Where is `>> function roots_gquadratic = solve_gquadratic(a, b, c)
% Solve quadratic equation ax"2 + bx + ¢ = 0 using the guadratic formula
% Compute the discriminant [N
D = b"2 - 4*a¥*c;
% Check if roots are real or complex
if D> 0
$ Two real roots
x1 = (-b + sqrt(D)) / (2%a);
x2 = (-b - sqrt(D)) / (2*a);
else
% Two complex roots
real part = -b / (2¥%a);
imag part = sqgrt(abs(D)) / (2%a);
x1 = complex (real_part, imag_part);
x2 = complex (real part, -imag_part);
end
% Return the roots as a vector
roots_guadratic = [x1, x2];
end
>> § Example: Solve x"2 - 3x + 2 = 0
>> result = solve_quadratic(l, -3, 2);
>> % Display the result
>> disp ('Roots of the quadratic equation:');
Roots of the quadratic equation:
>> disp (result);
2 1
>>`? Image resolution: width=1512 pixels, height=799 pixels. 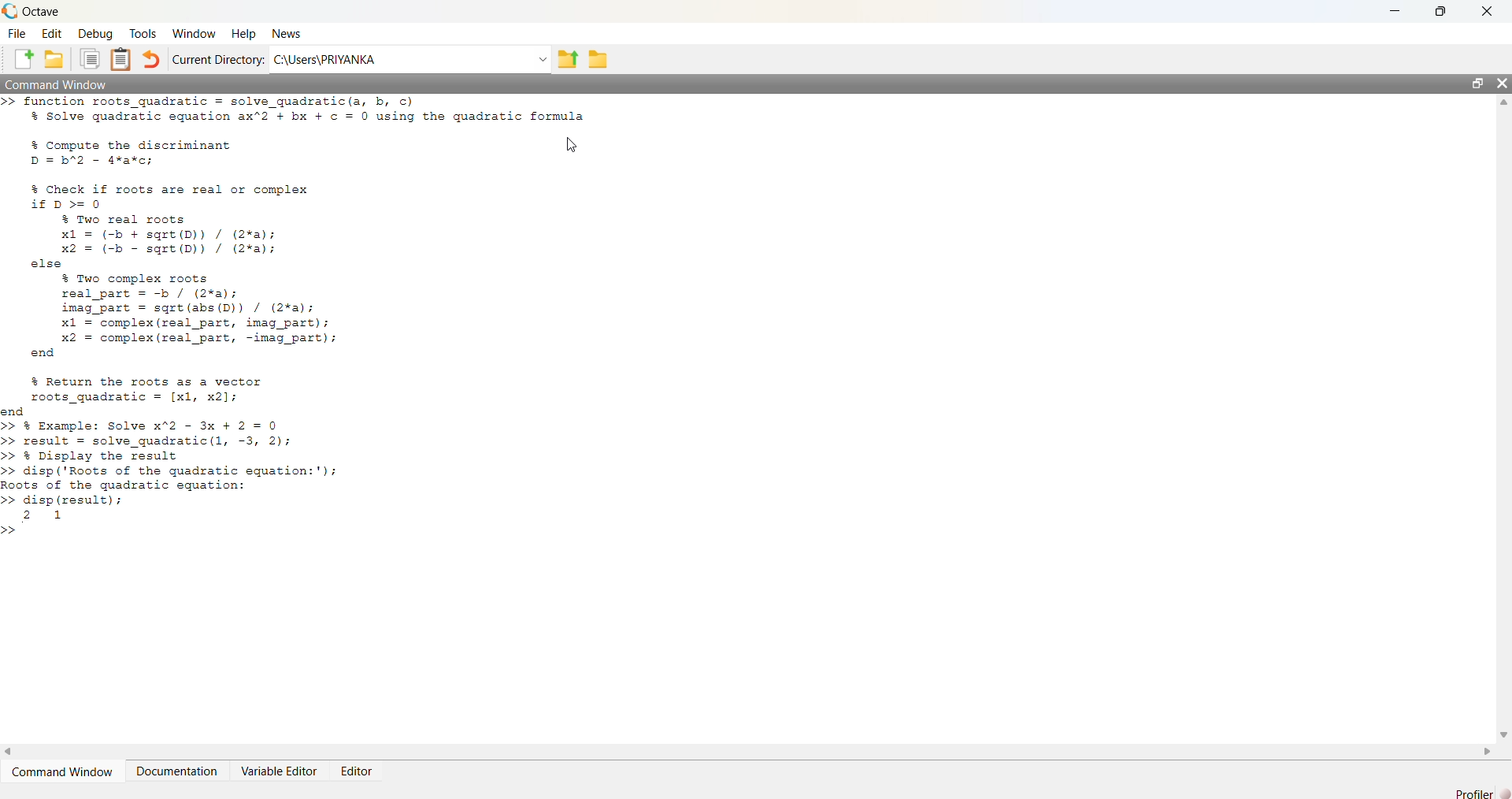
>> function roots_gquadratic = solve_gquadratic(a, b, c)
% Solve quadratic equation ax"2 + bx + ¢ = 0 using the guadratic formula
% Compute the discriminant [N
D = b"2 - 4*a¥*c;
% Check if roots are real or complex
if D> 0
$ Two real roots
x1 = (-b + sqrt(D)) / (2%a);
x2 = (-b - sqrt(D)) / (2*a);
else
% Two complex roots
real part = -b / (2¥%a);
imag part = sqgrt(abs(D)) / (2%a);
x1 = complex (real_part, imag_part);
x2 = complex (real part, -imag_part);
end
% Return the roots as a vector
roots_guadratic = [x1, x2];
end
>> § Example: Solve x"2 - 3x + 2 = 0
>> result = solve_quadratic(l, -3, 2);
>> % Display the result
>> disp ('Roots of the quadratic equation:');
Roots of the quadratic equation:
>> disp (result);
2 1
>> is located at coordinates (326, 323).